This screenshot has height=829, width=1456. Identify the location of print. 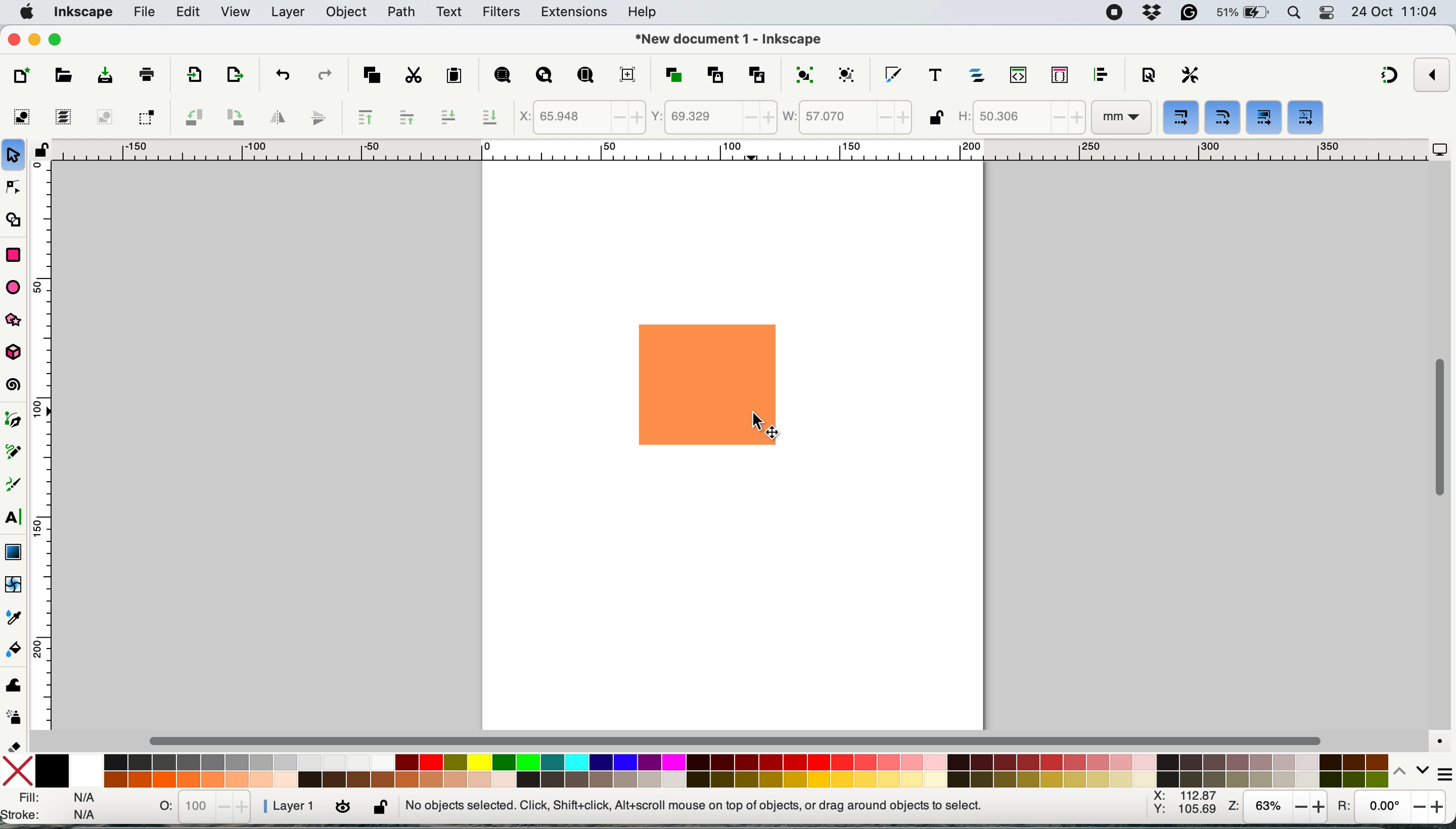
(147, 73).